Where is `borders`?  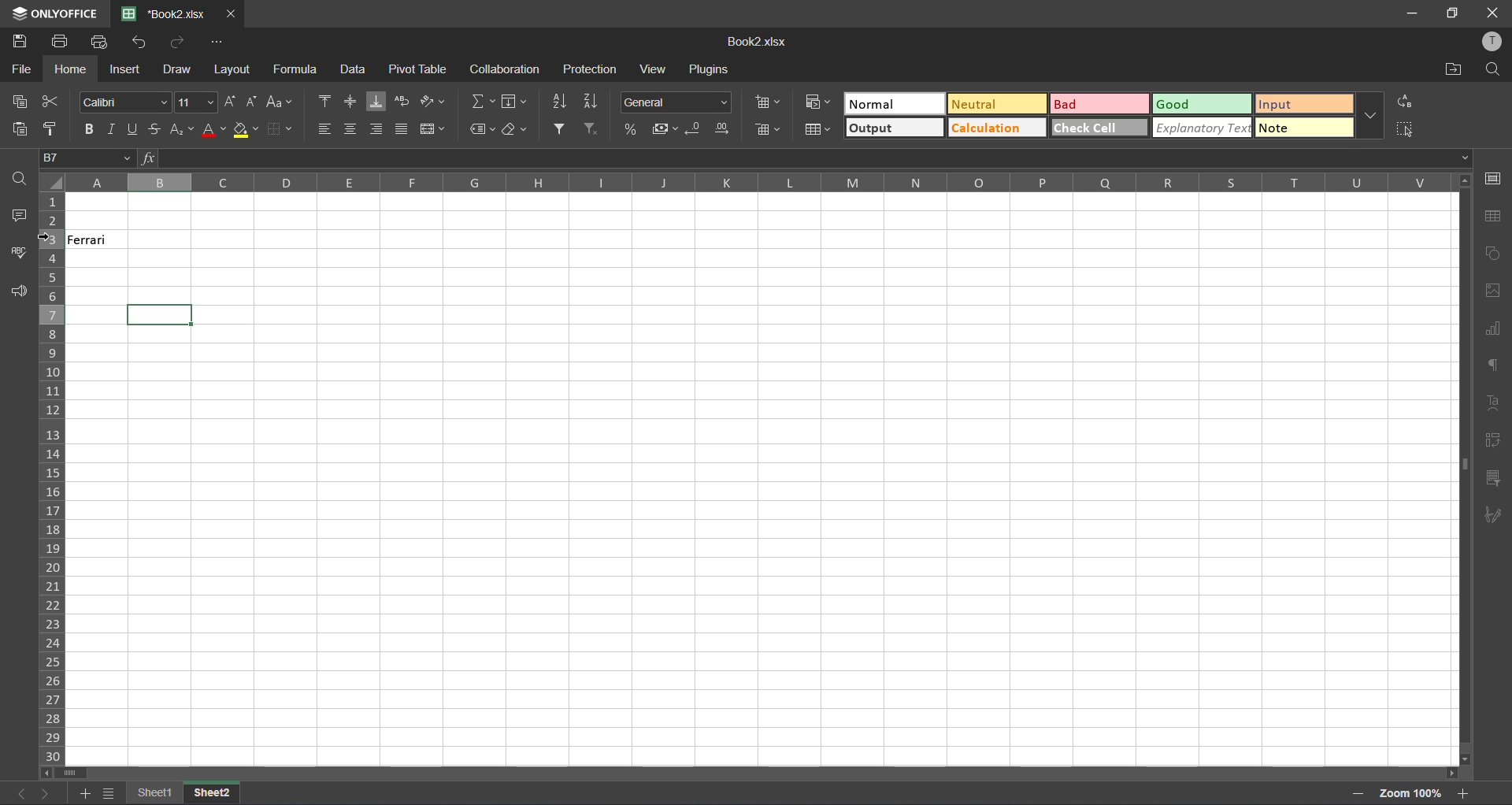 borders is located at coordinates (285, 127).